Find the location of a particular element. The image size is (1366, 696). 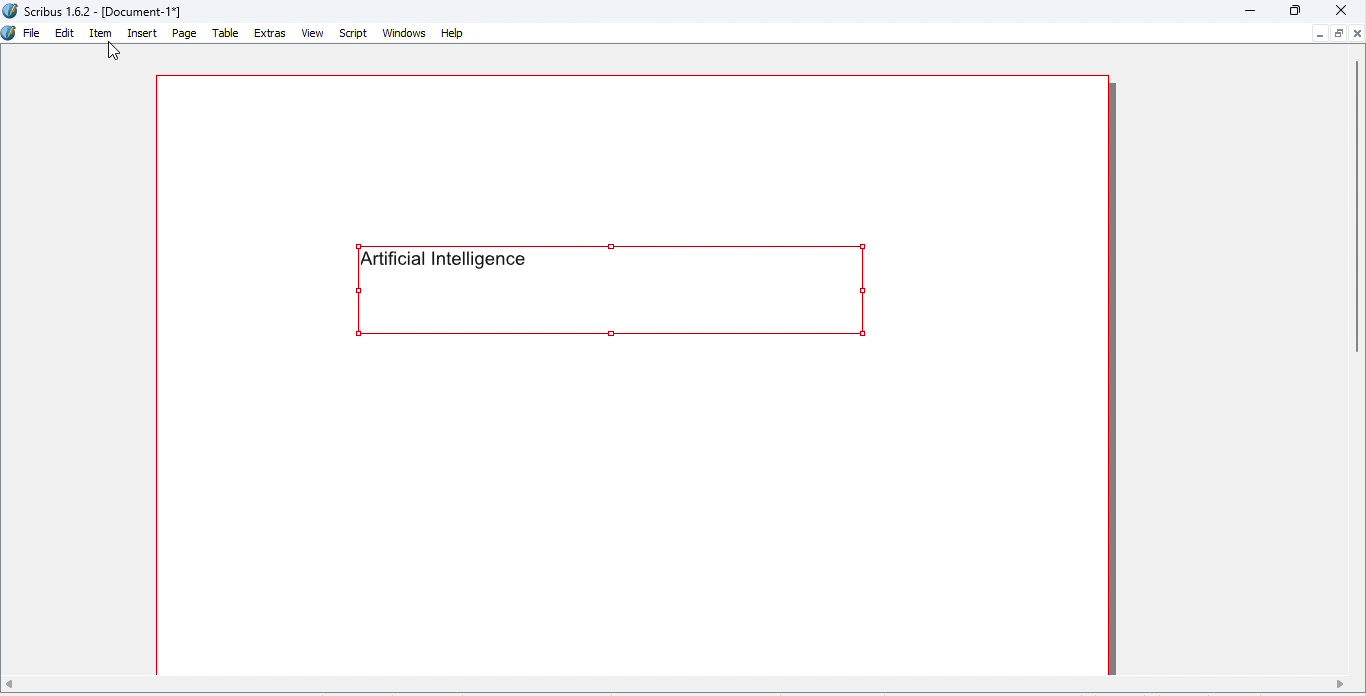

Text is located at coordinates (612, 294).